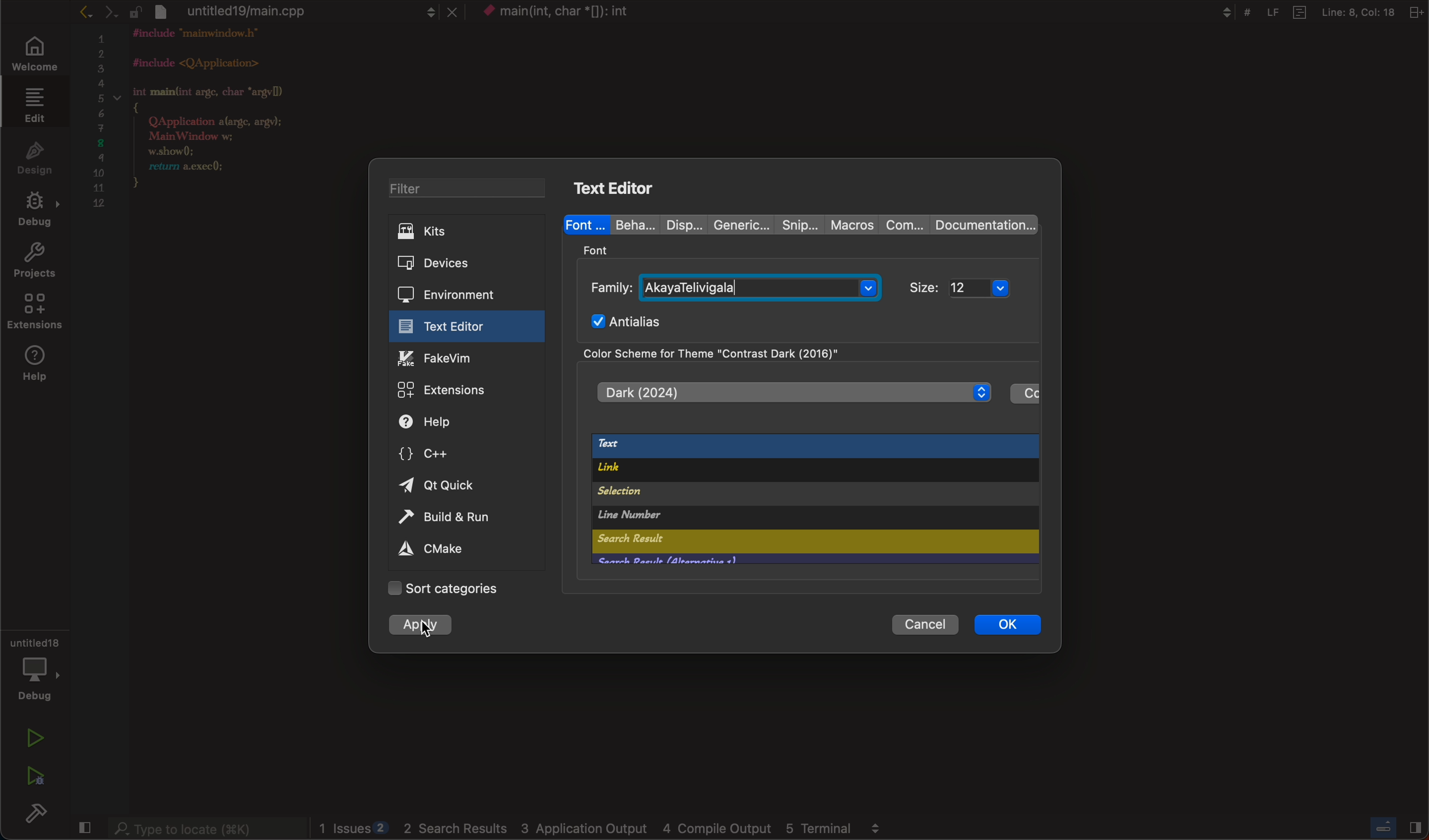  What do you see at coordinates (434, 550) in the screenshot?
I see `cmake` at bounding box center [434, 550].